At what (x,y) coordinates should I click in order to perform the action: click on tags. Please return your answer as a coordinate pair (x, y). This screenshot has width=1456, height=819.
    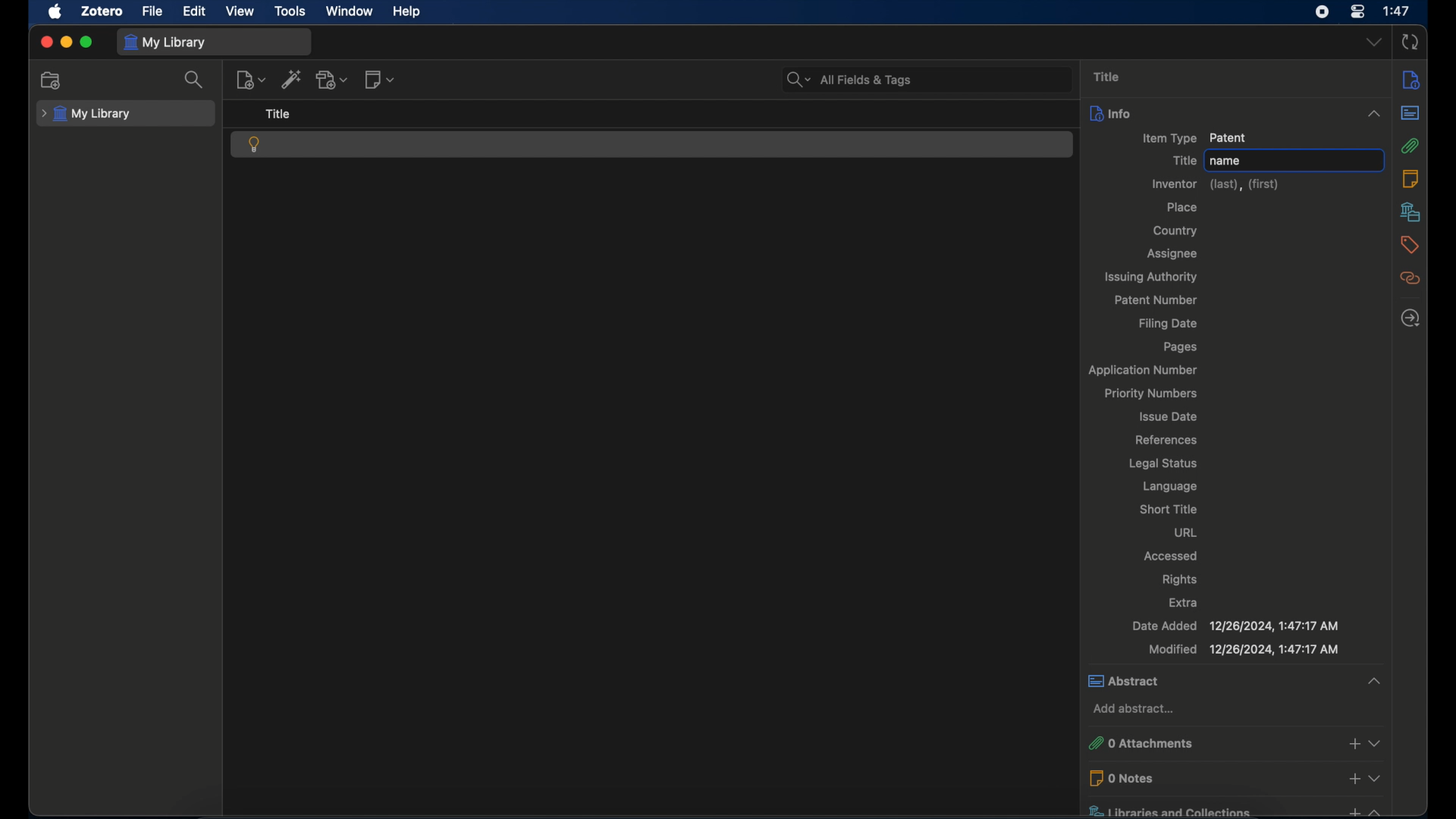
    Looking at the image, I should click on (1410, 244).